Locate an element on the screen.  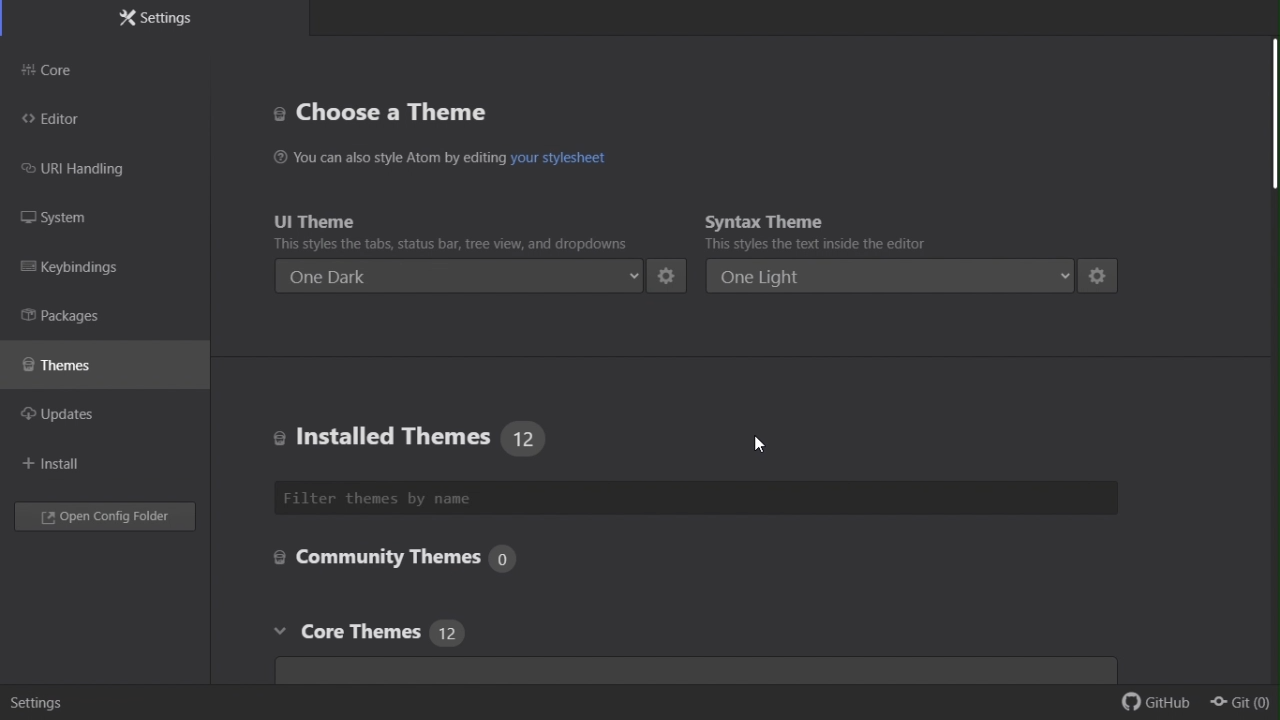
Open folder is located at coordinates (103, 515).